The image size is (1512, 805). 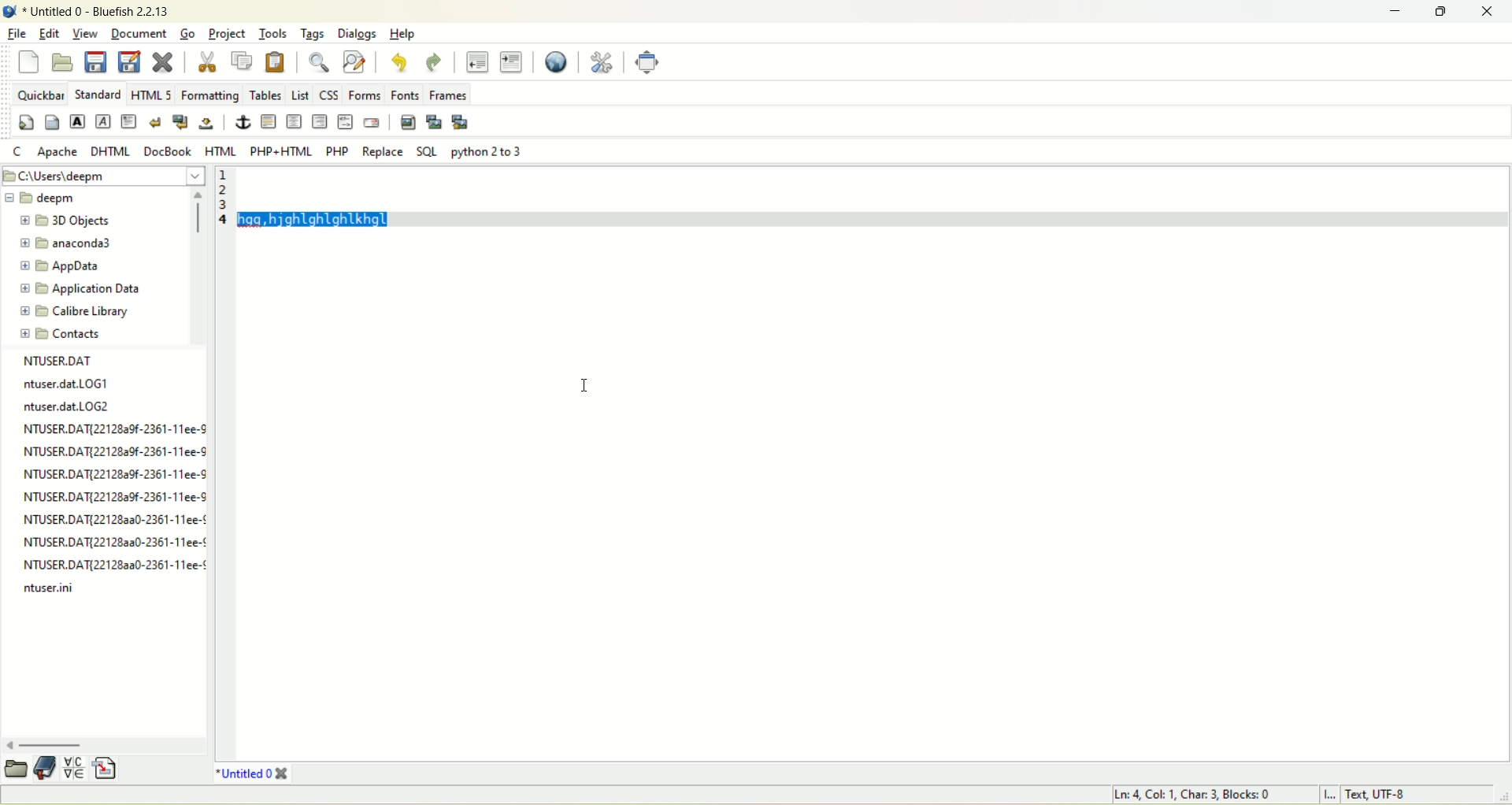 What do you see at coordinates (276, 64) in the screenshot?
I see `paste` at bounding box center [276, 64].